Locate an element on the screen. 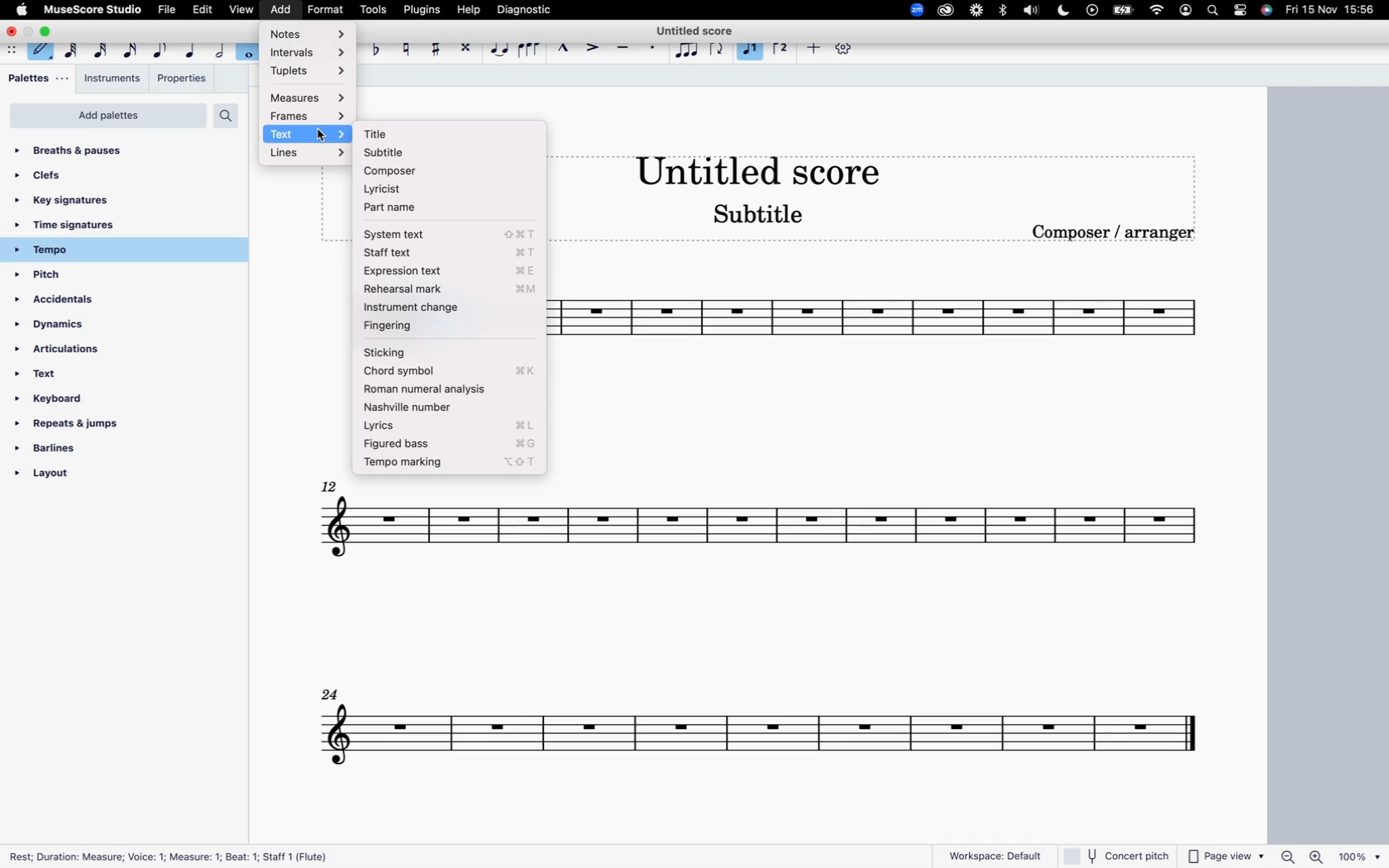 This screenshot has width=1389, height=868. text is located at coordinates (311, 134).